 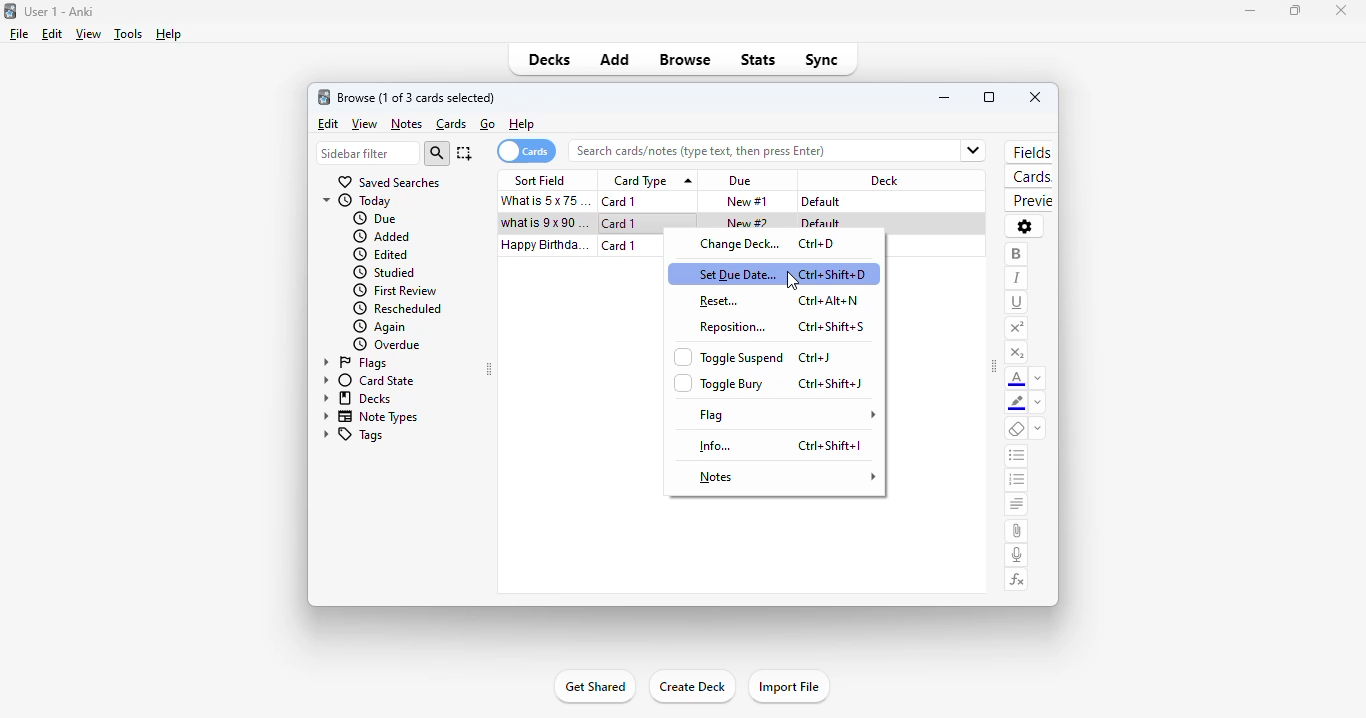 What do you see at coordinates (785, 478) in the screenshot?
I see `notes` at bounding box center [785, 478].